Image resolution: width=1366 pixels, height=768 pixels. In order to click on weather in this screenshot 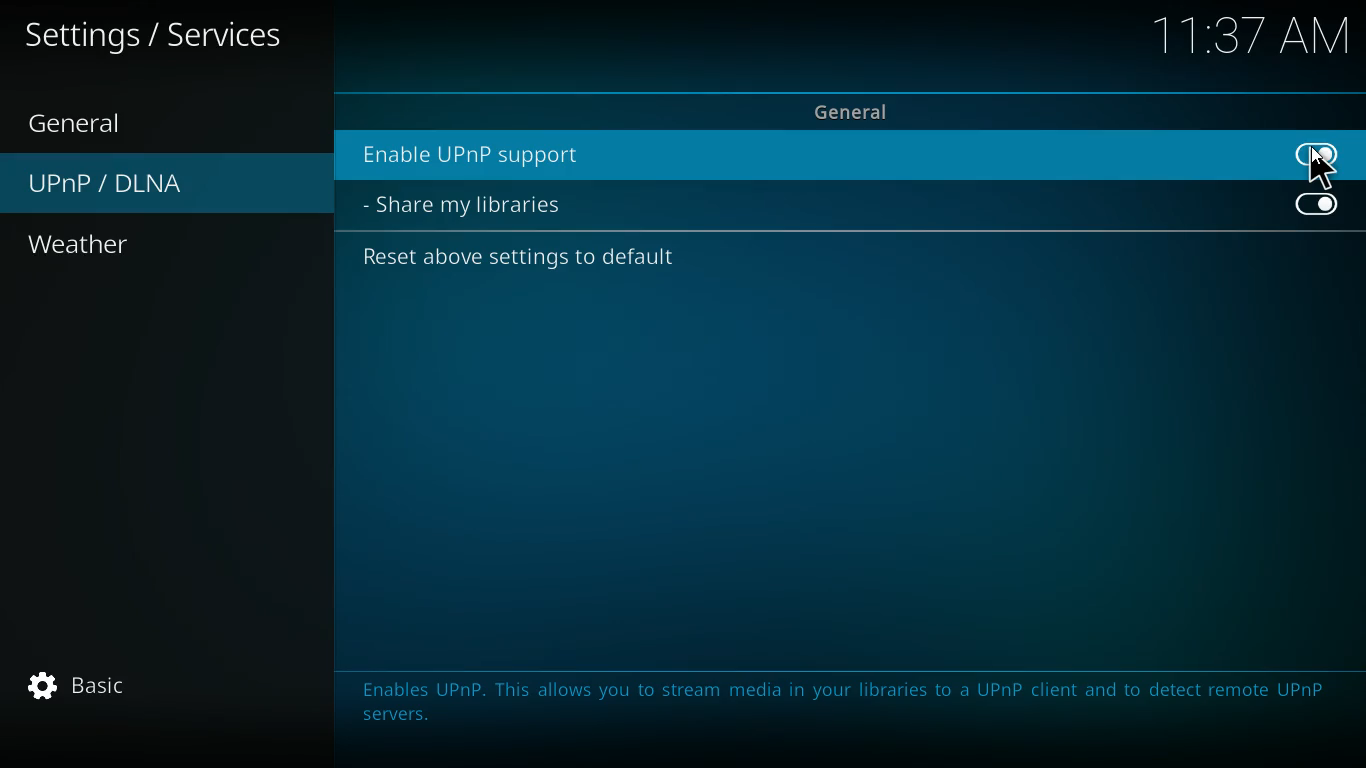, I will do `click(125, 246)`.